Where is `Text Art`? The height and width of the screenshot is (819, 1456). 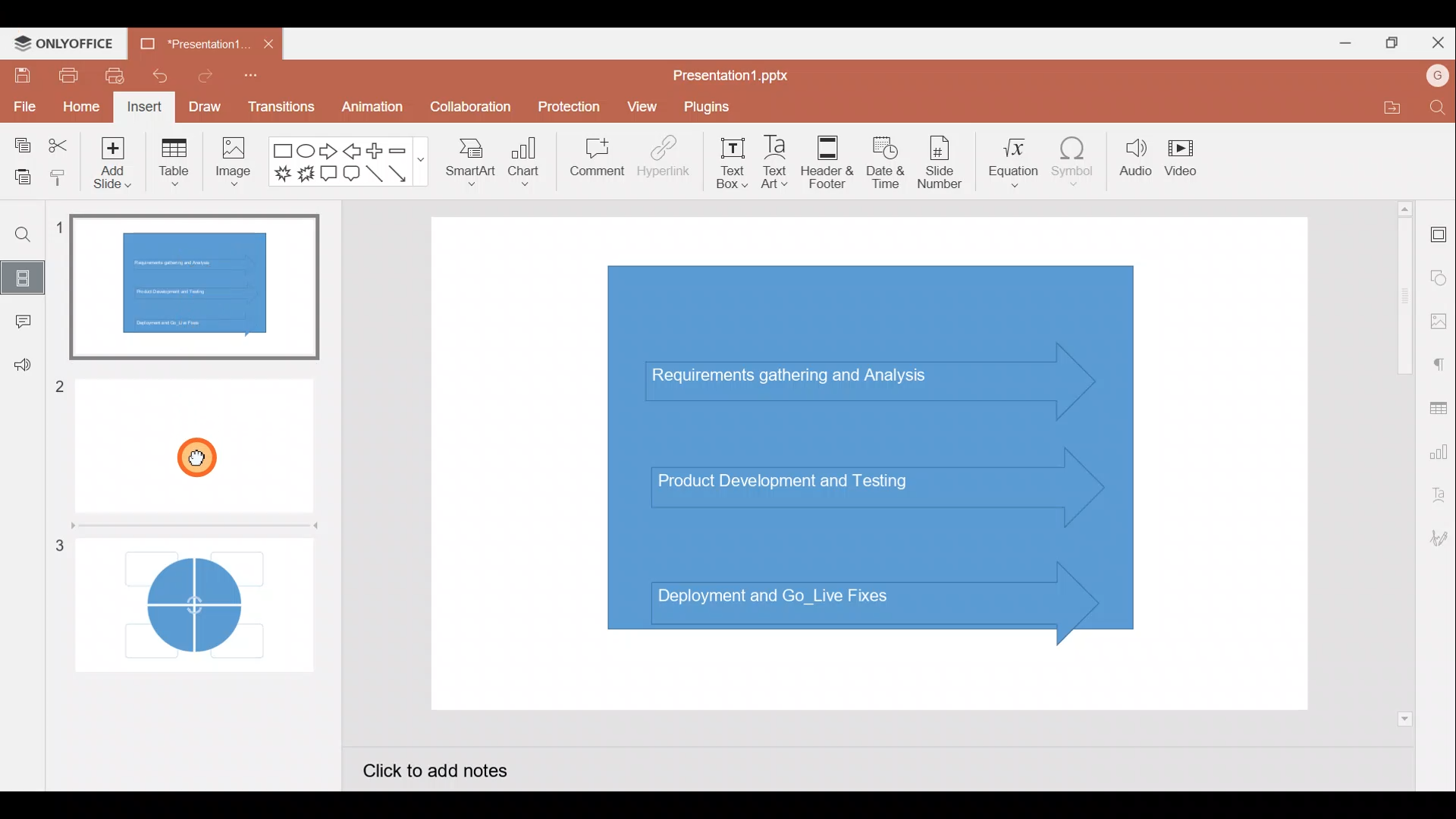 Text Art is located at coordinates (780, 163).